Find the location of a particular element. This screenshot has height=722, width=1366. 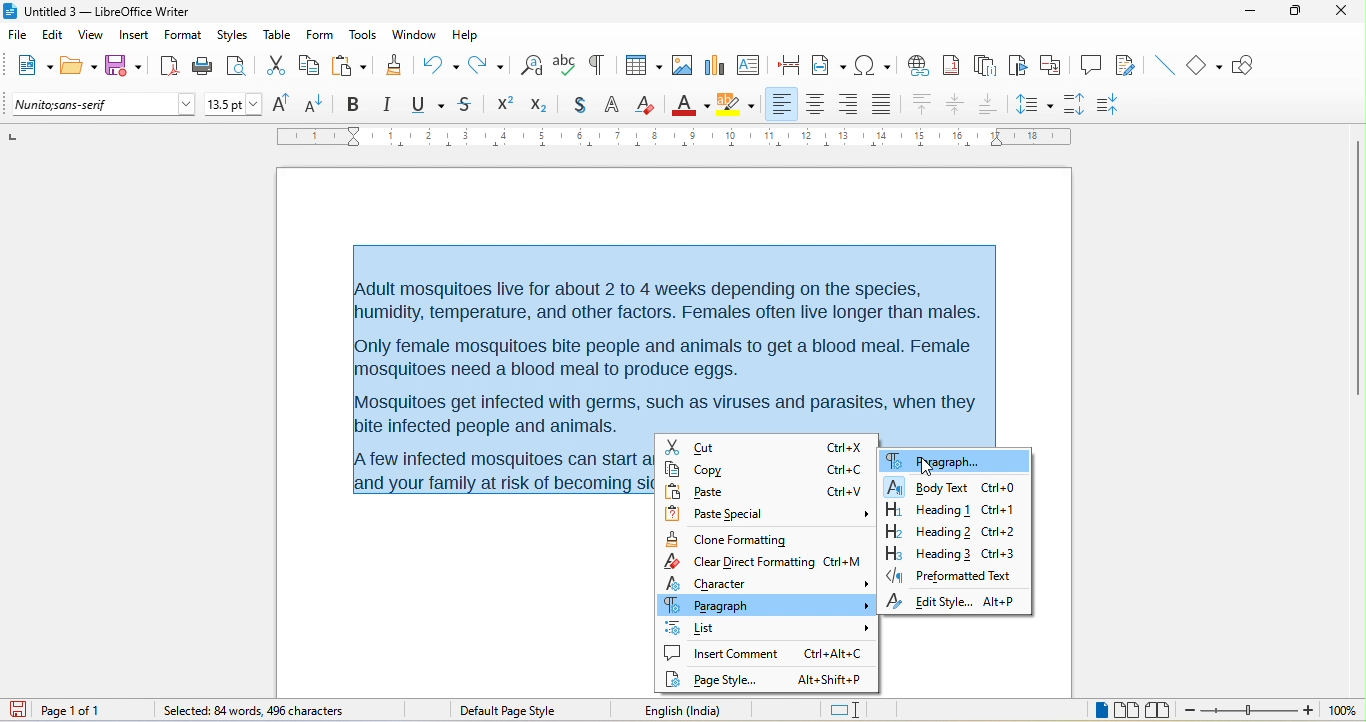

align left is located at coordinates (781, 103).